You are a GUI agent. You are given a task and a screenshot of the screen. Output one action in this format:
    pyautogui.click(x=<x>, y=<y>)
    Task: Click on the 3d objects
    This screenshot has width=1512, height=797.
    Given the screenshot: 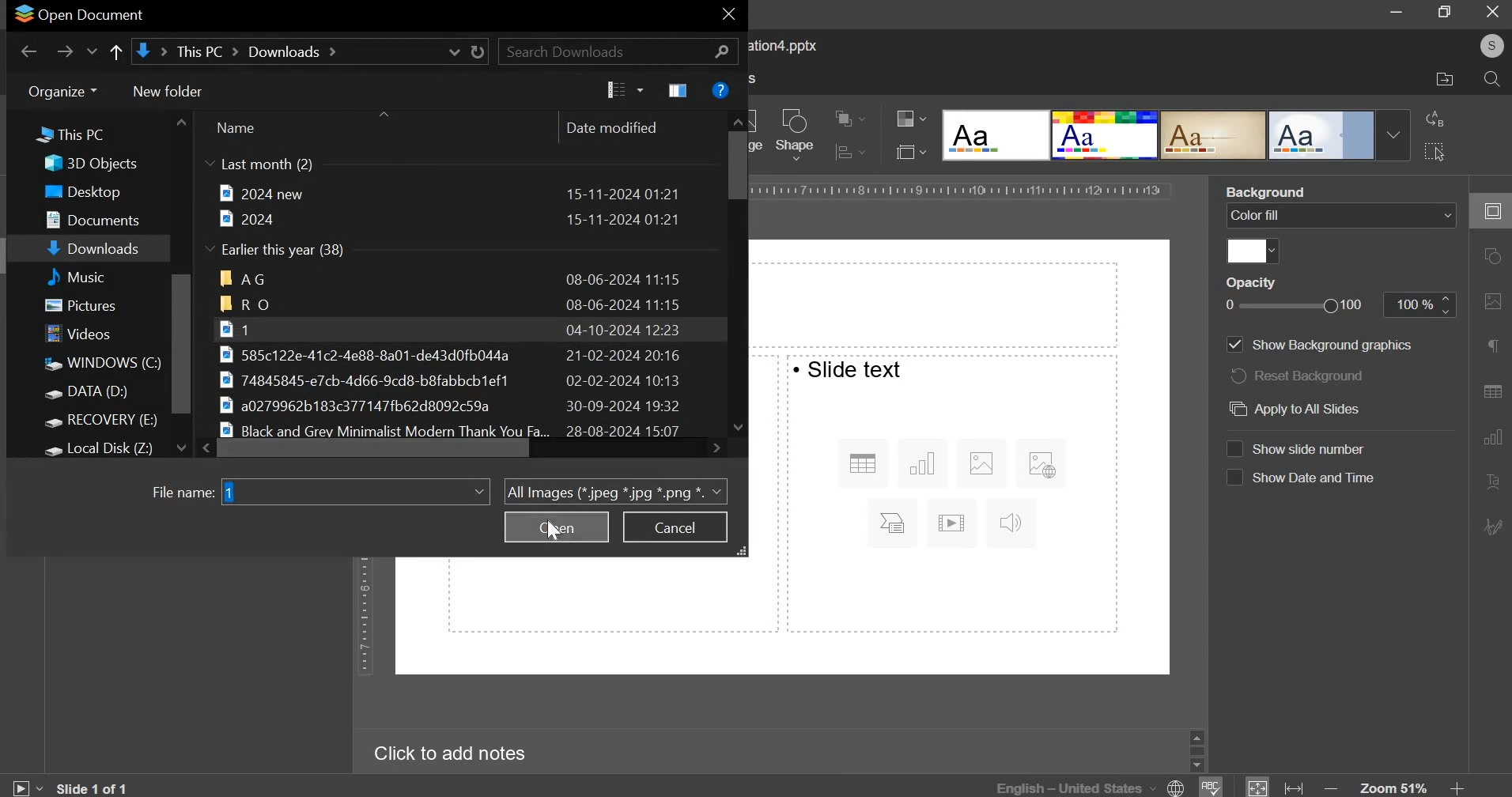 What is the action you would take?
    pyautogui.click(x=96, y=164)
    